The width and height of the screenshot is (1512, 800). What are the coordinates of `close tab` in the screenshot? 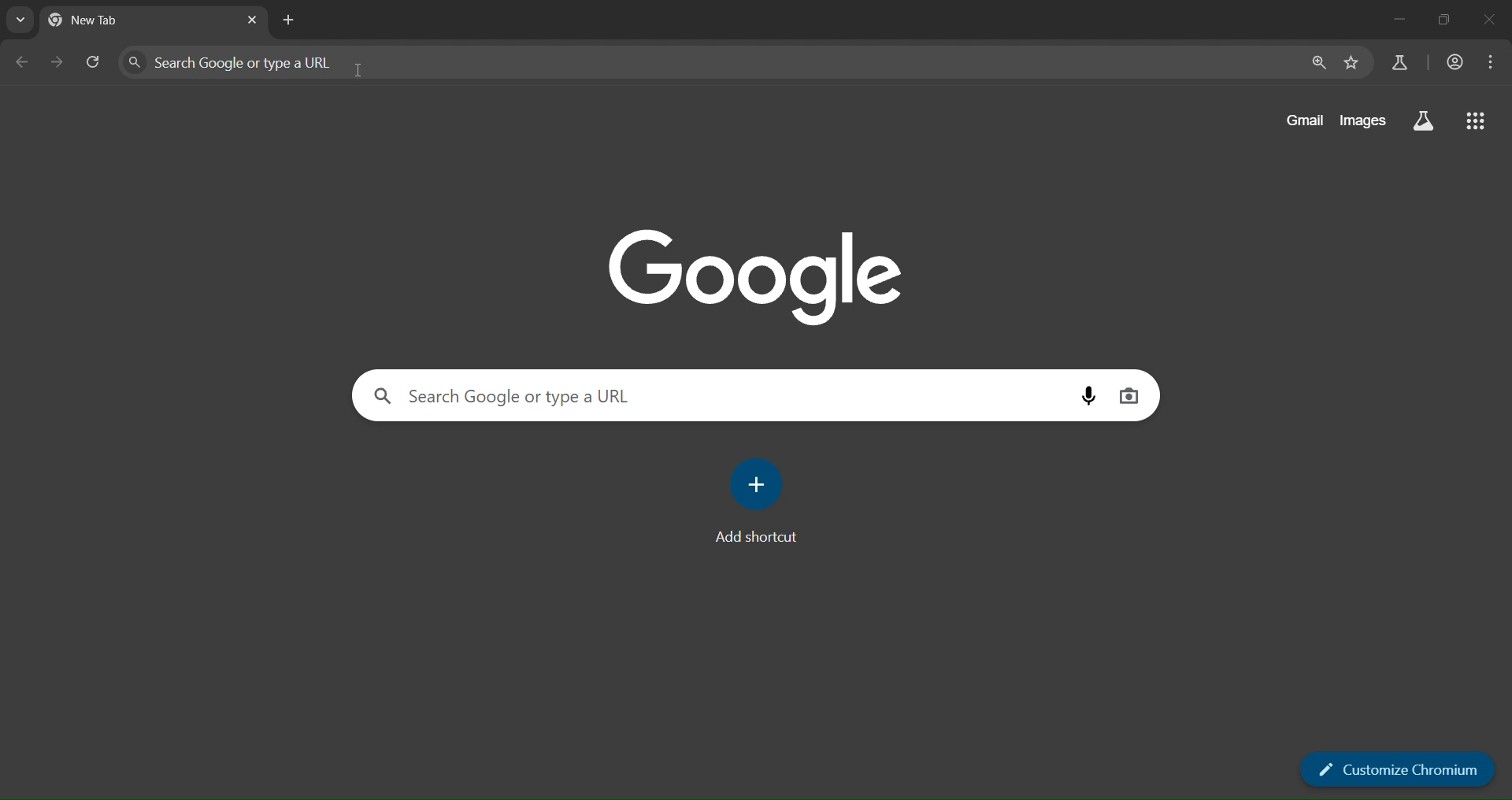 It's located at (251, 20).